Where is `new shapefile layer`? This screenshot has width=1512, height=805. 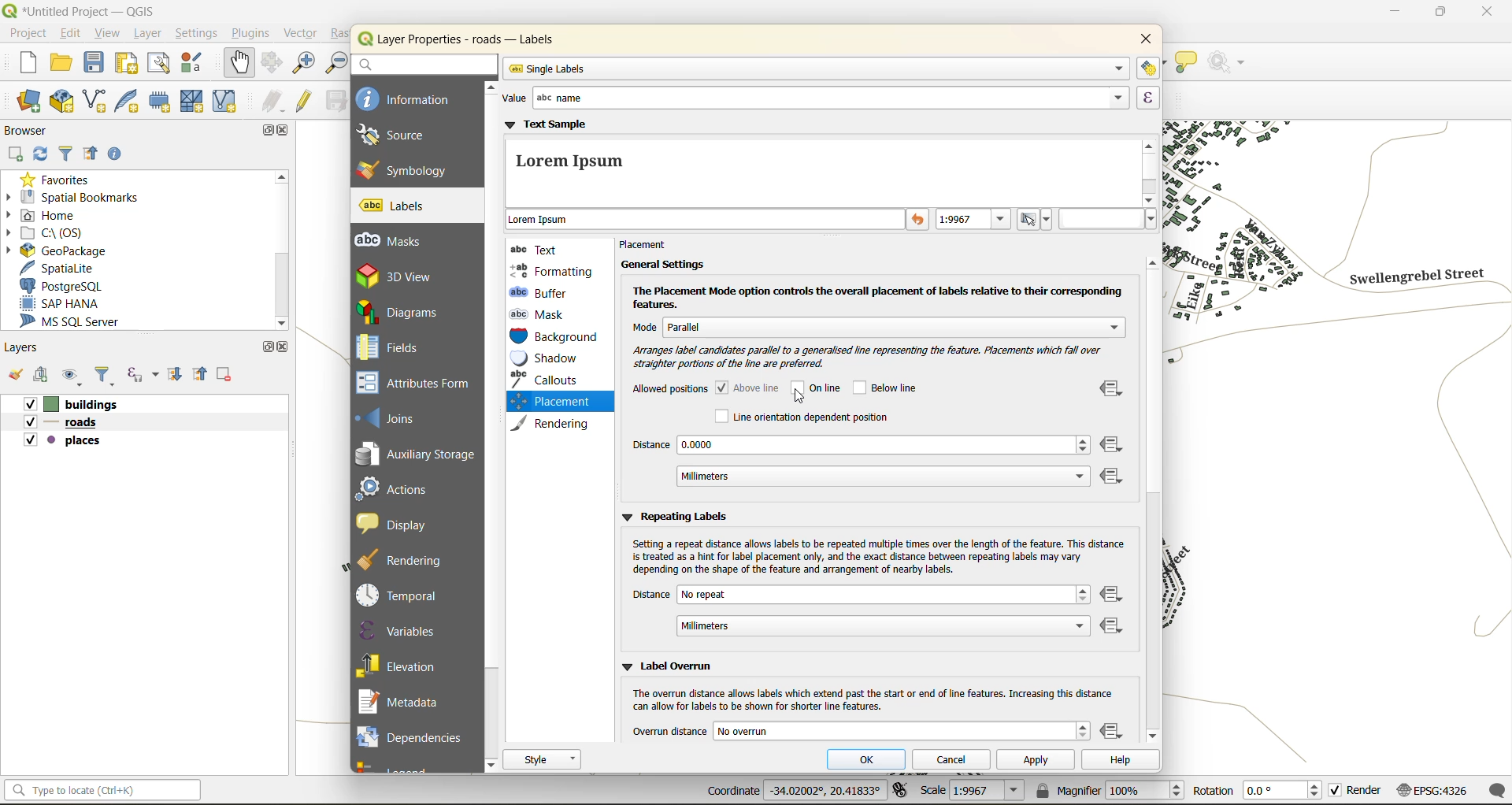 new shapefile layer is located at coordinates (102, 102).